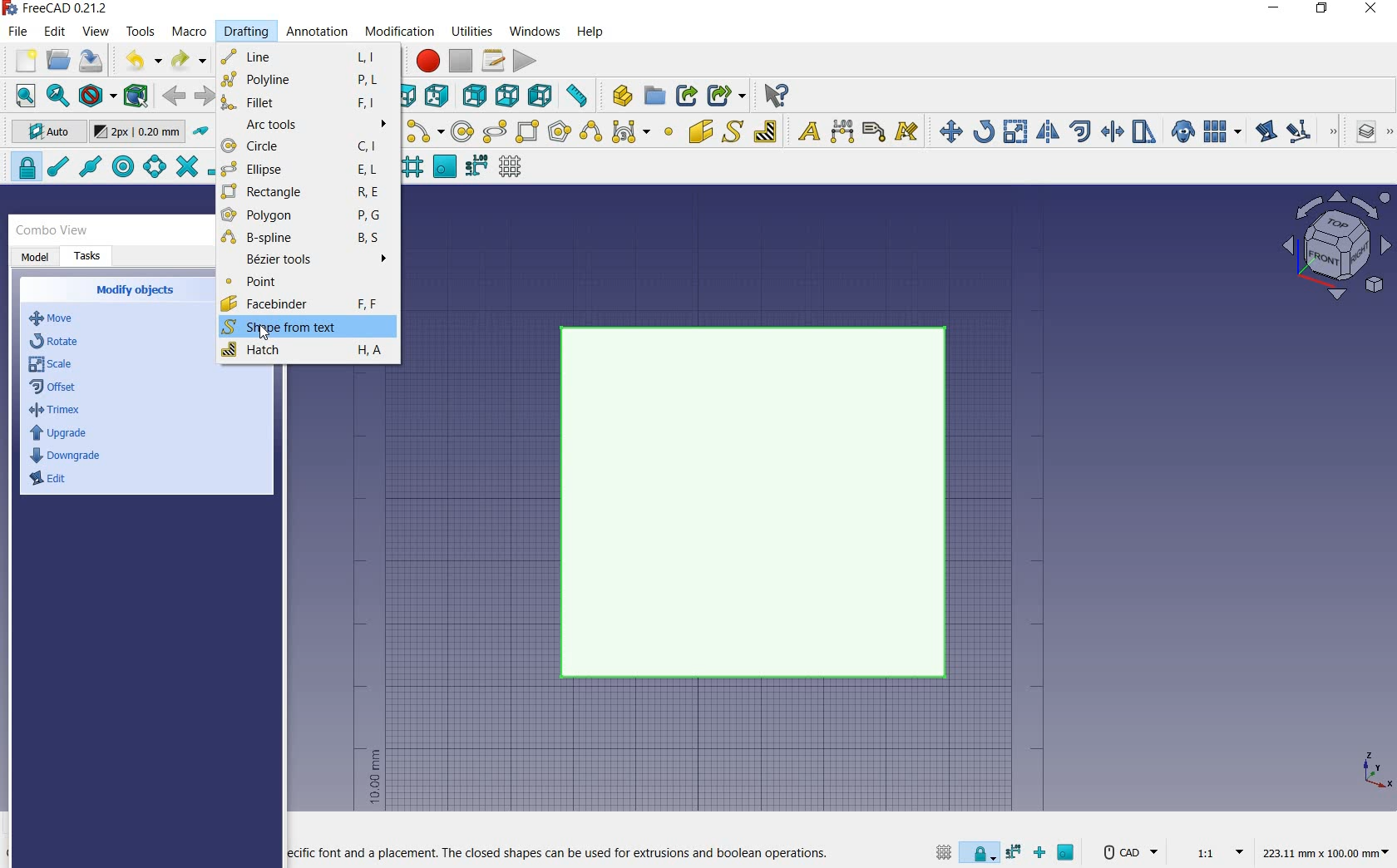 The height and width of the screenshot is (868, 1397). Describe the element at coordinates (529, 133) in the screenshot. I see `rectangle` at that location.